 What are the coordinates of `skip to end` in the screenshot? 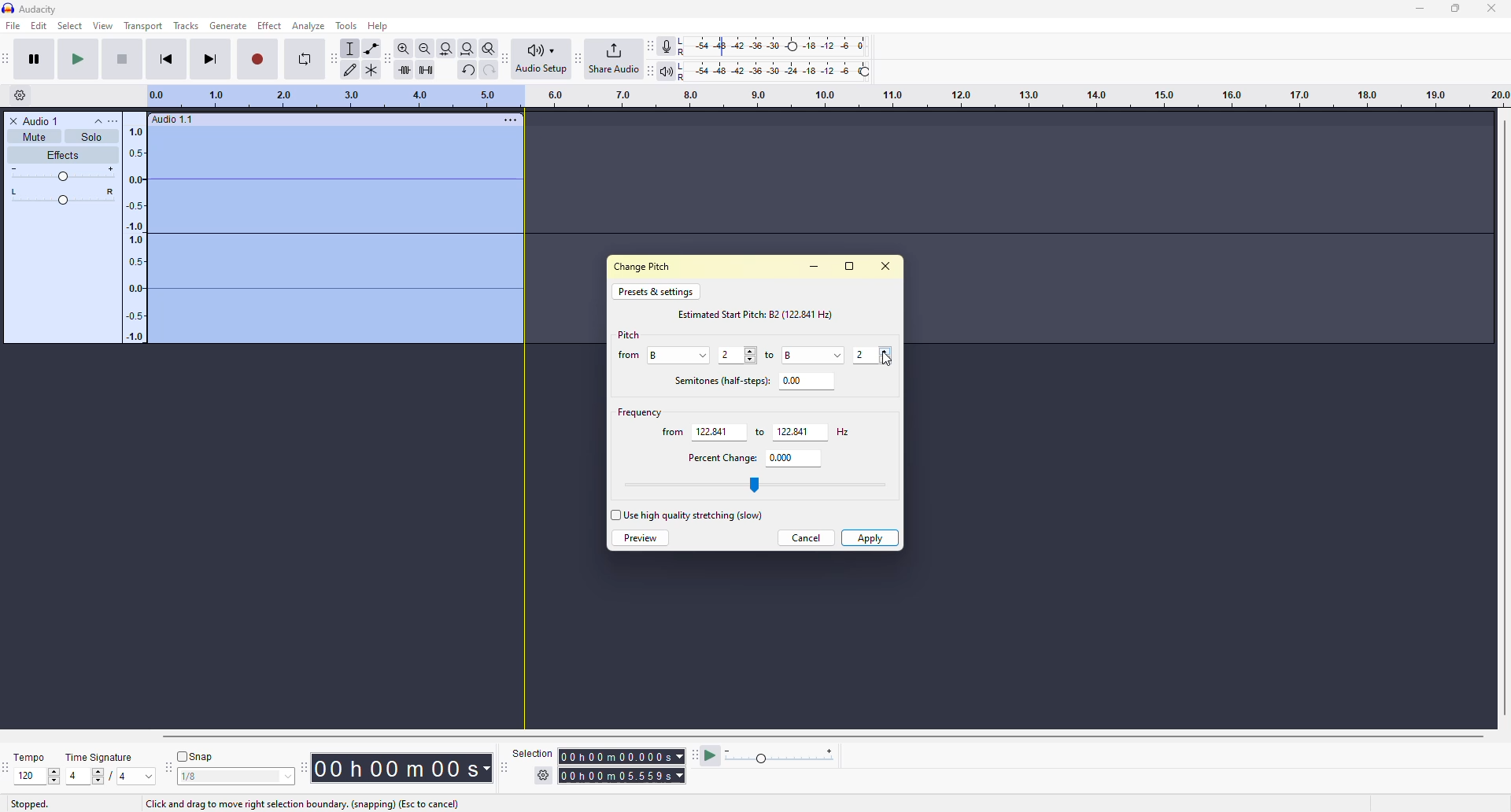 It's located at (212, 58).